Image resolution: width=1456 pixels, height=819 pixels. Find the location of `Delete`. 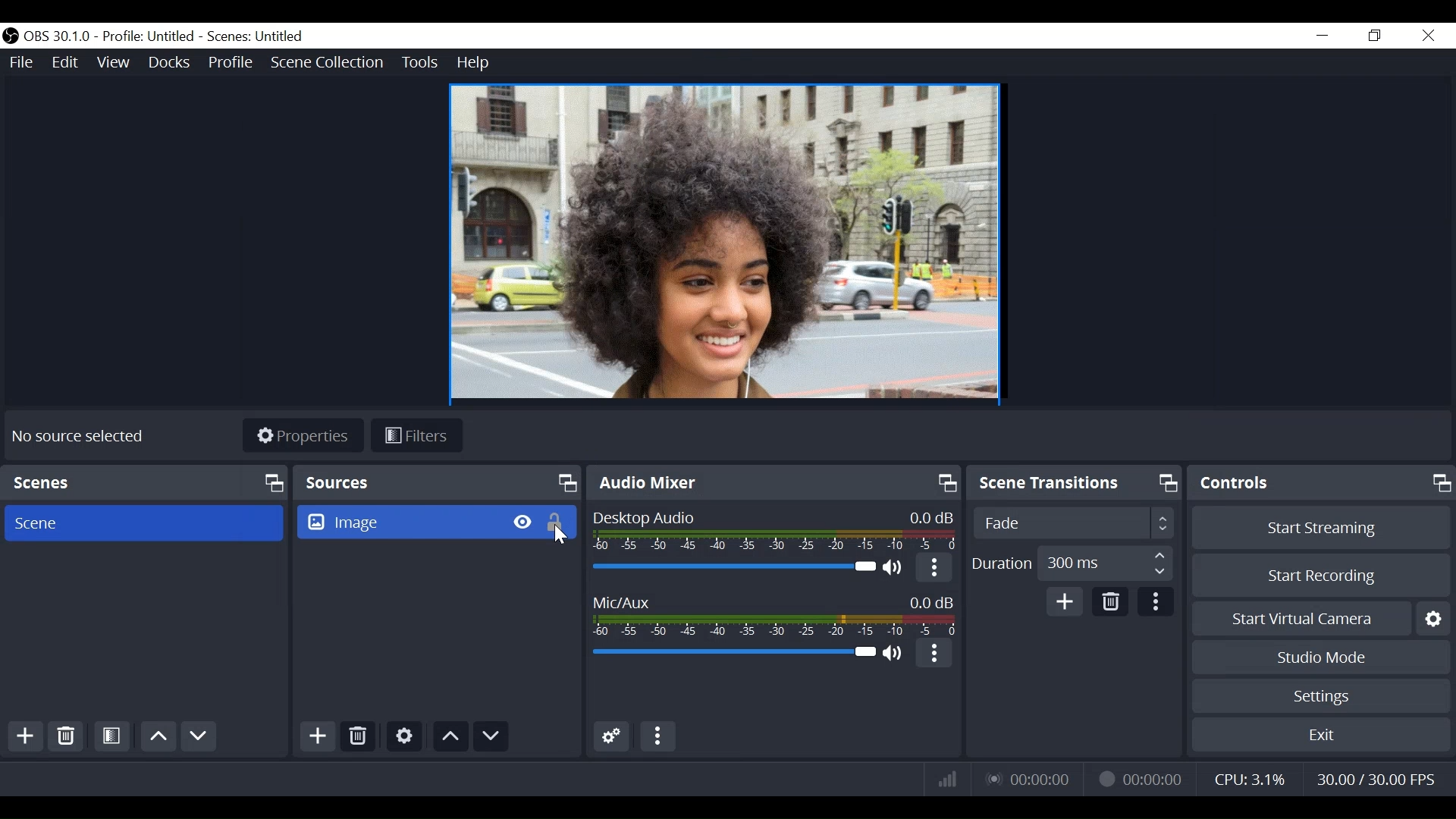

Delete is located at coordinates (357, 737).